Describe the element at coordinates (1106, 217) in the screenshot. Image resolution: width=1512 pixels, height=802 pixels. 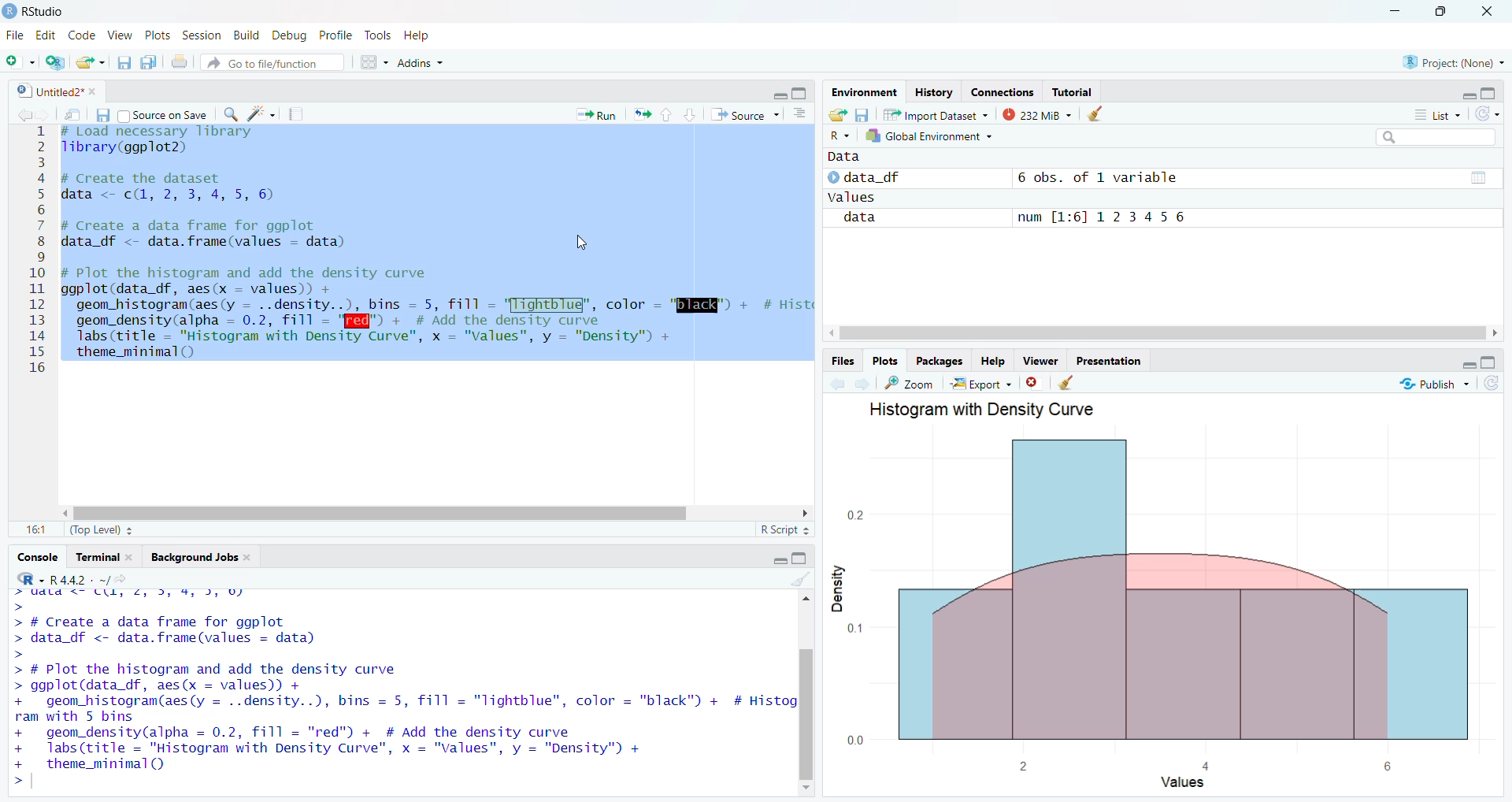
I see `num [1:6] 123456` at that location.